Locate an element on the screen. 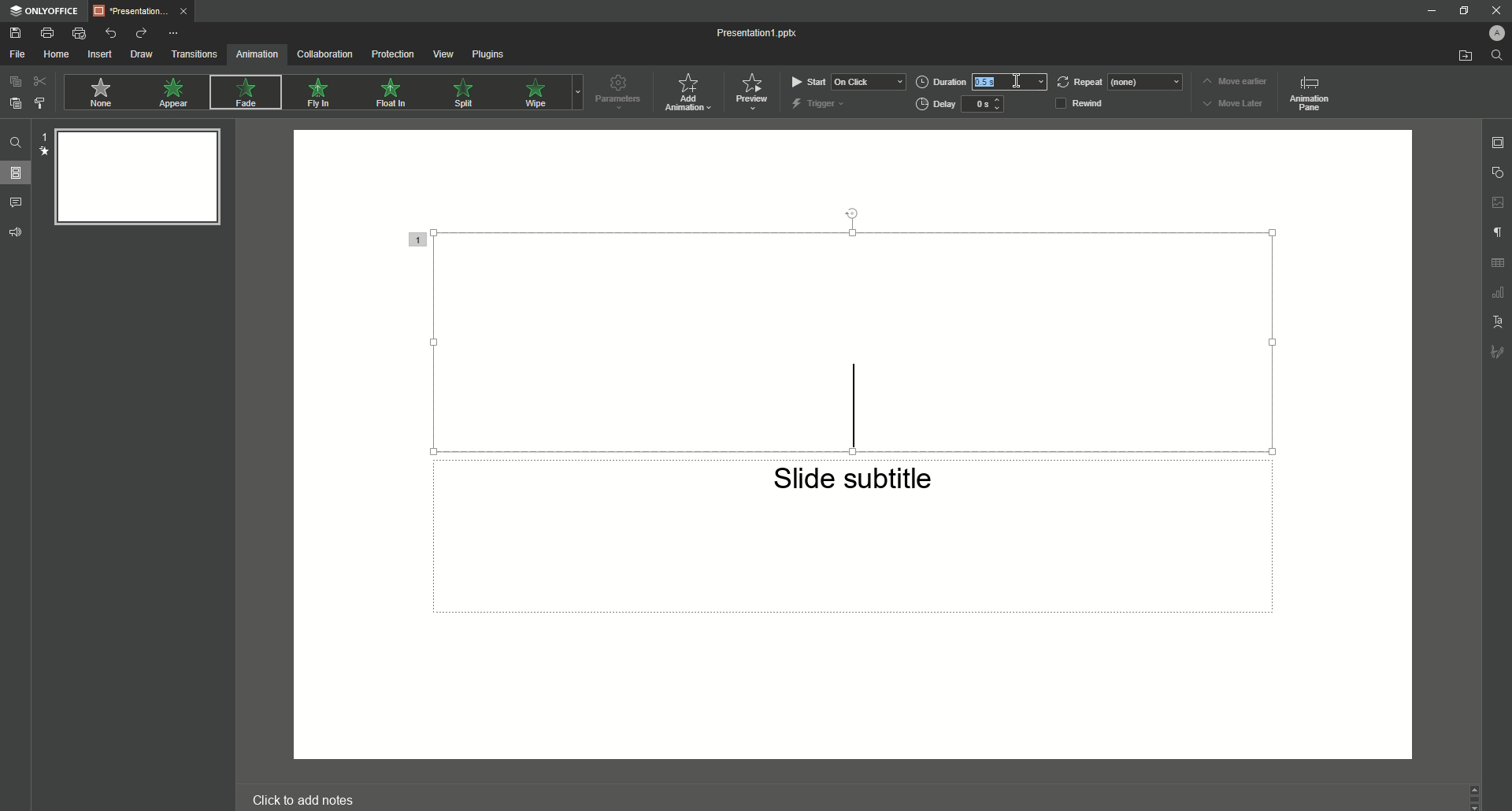  Transitions is located at coordinates (195, 54).